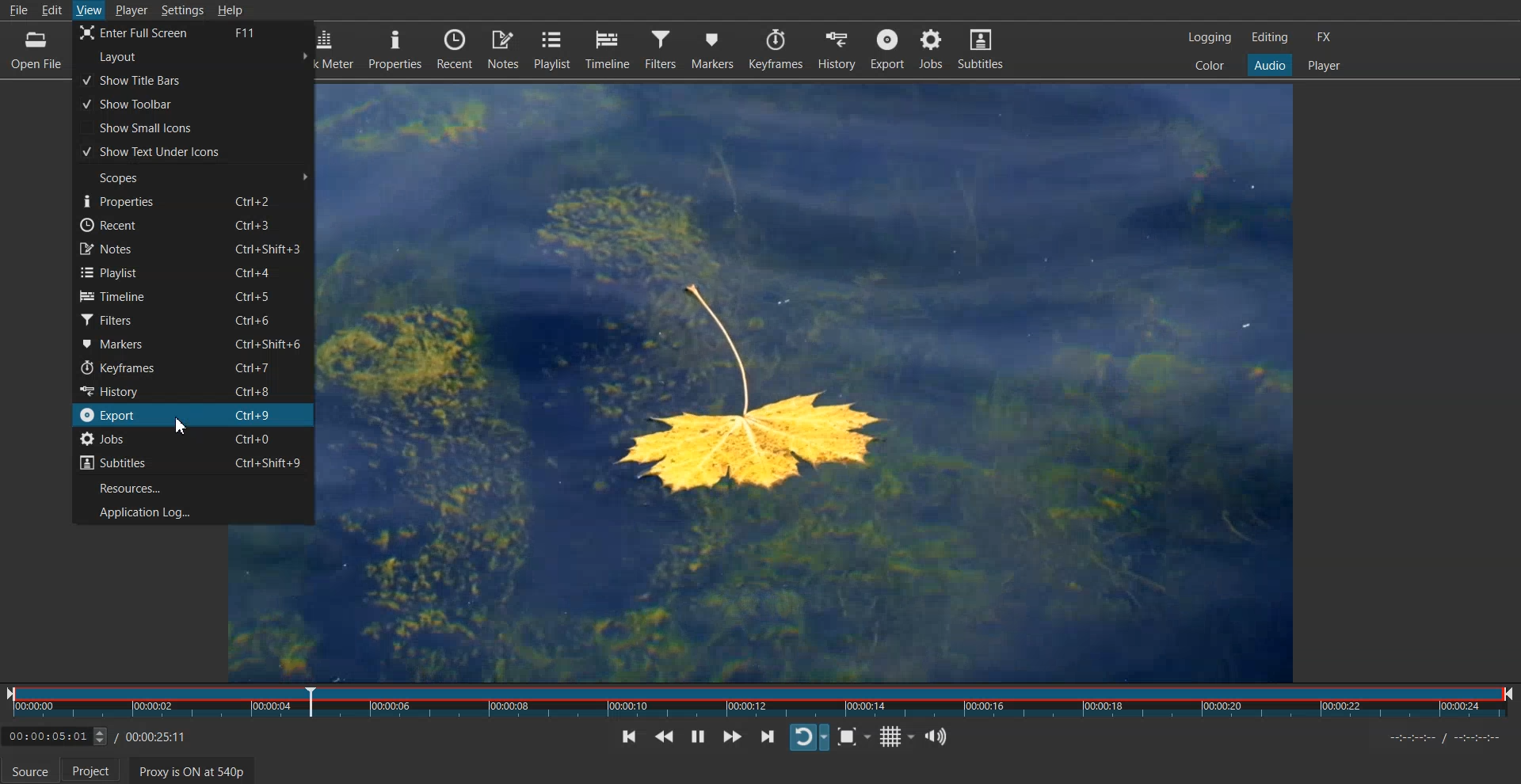 The width and height of the screenshot is (1521, 784). What do you see at coordinates (760, 705) in the screenshot?
I see `Slider` at bounding box center [760, 705].